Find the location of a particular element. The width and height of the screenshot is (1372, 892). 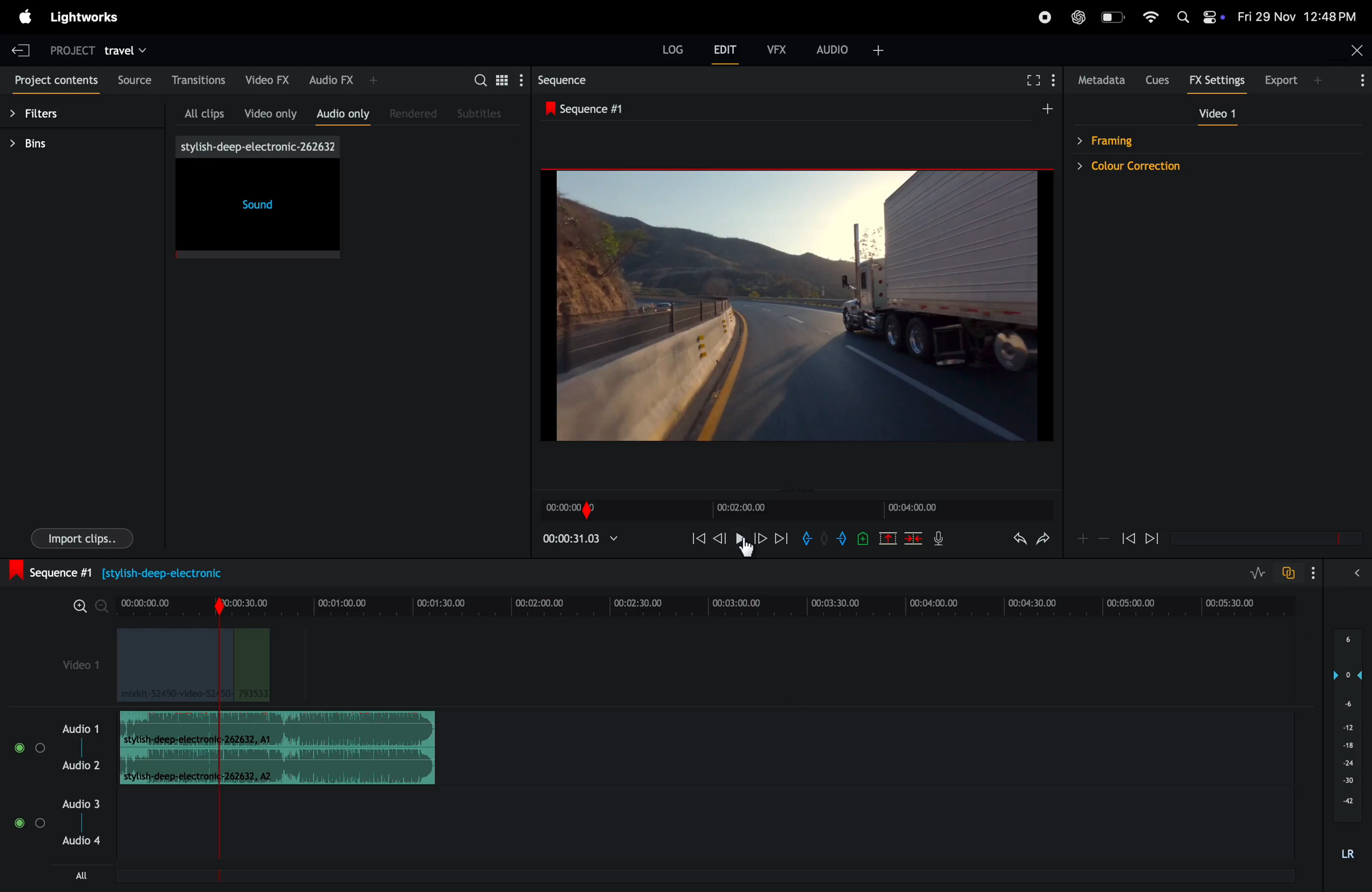

sequence #1 is located at coordinates (593, 109).